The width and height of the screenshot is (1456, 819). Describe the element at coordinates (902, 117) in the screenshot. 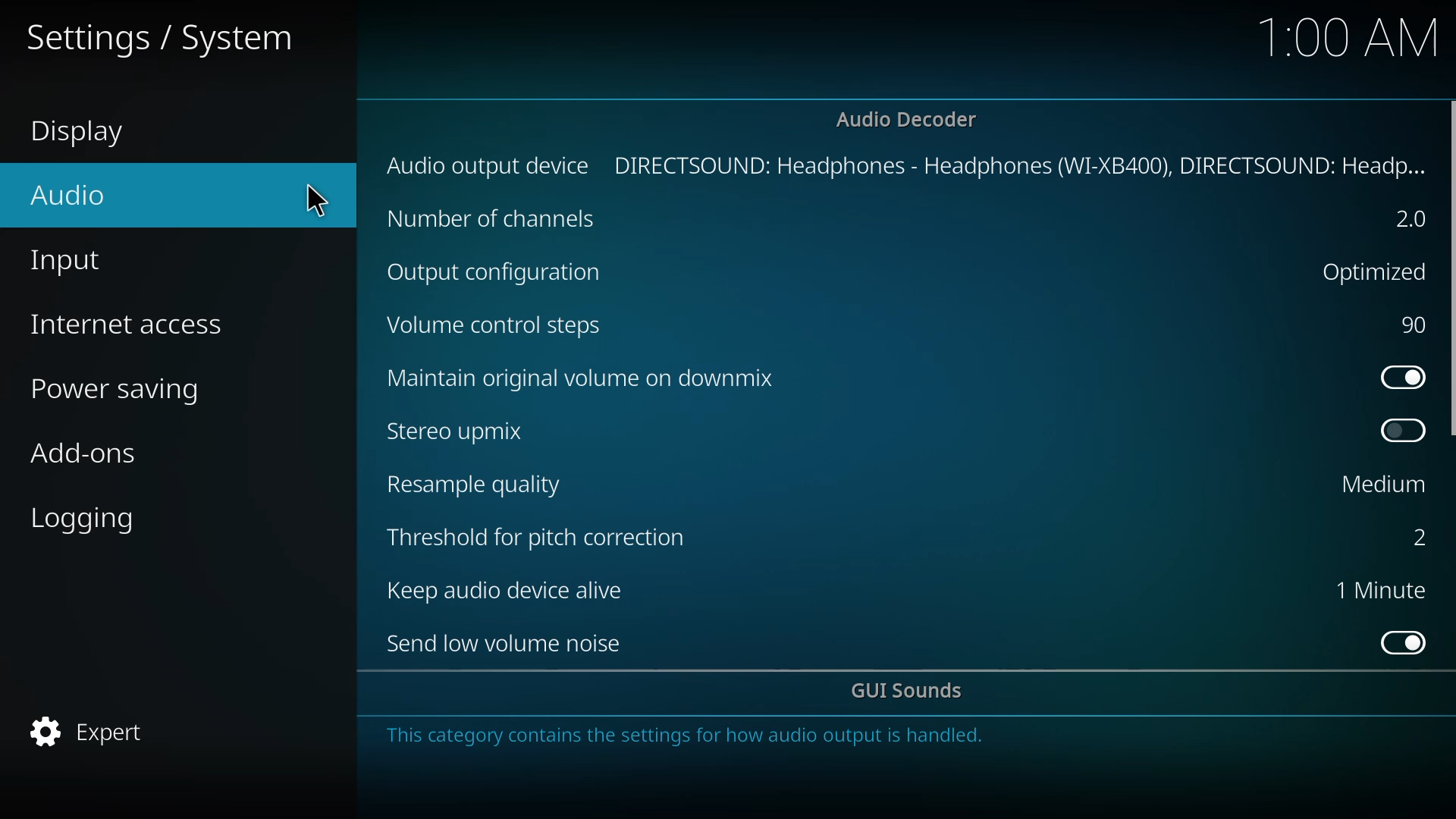

I see `decoder` at that location.